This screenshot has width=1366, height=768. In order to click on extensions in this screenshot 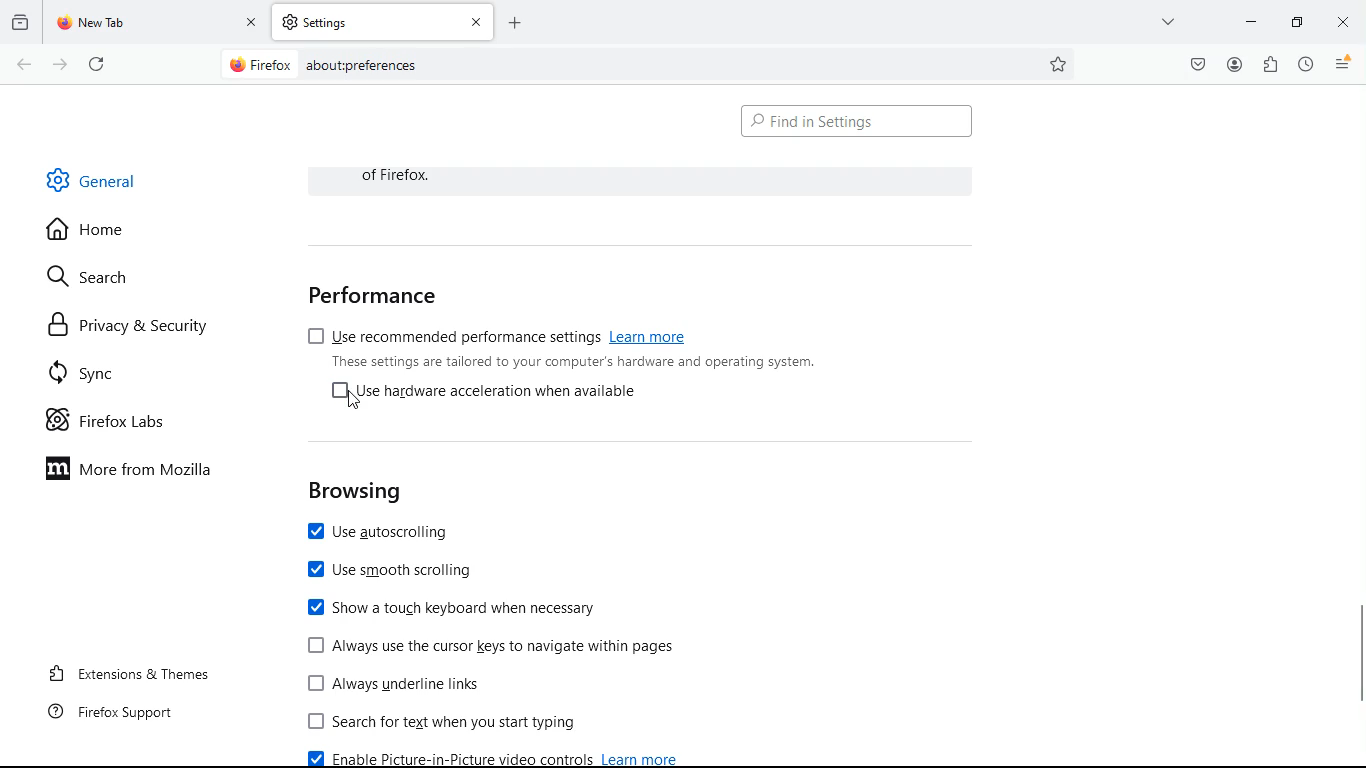, I will do `click(1269, 66)`.